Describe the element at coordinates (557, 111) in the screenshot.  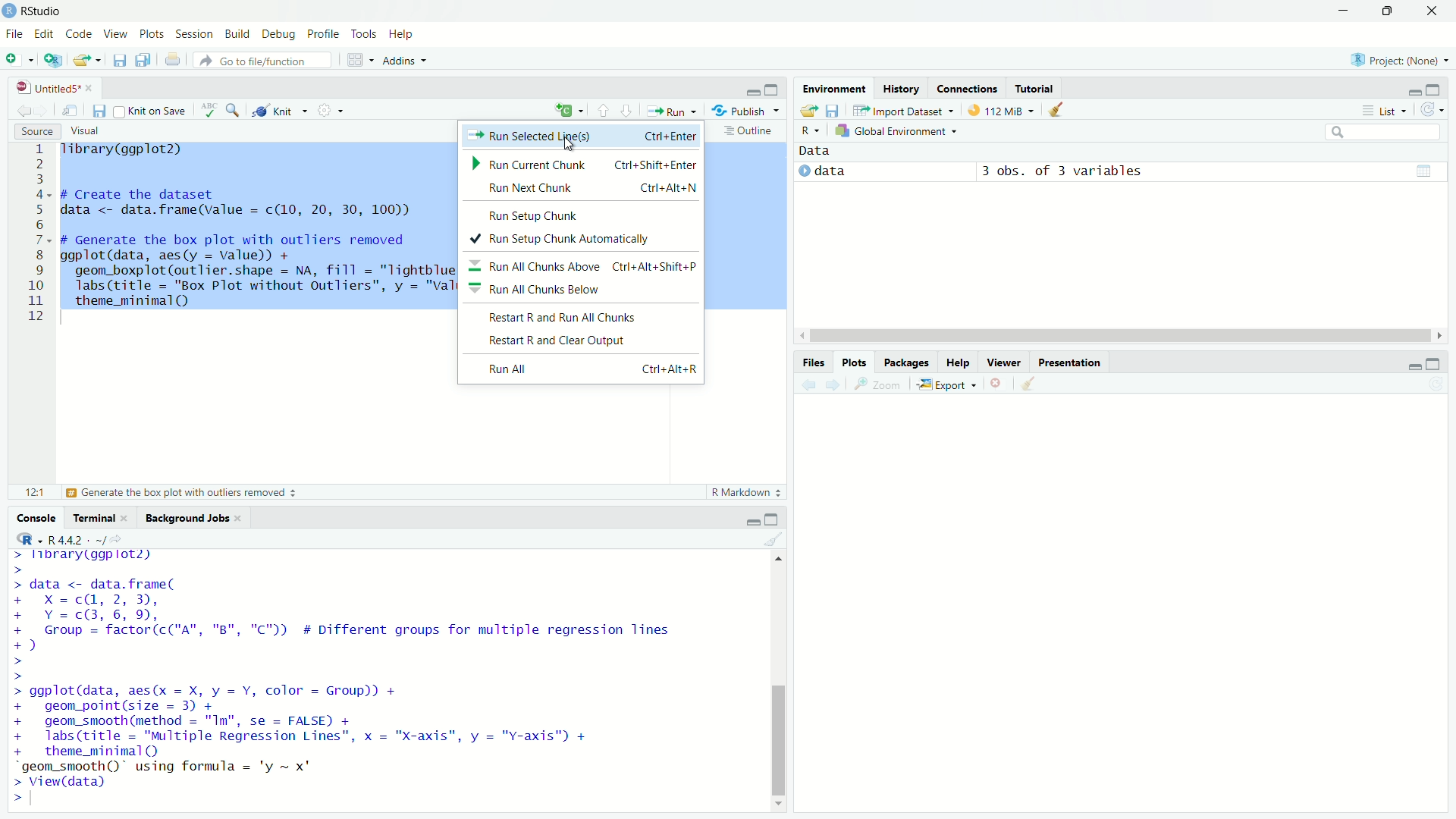
I see `add` at that location.